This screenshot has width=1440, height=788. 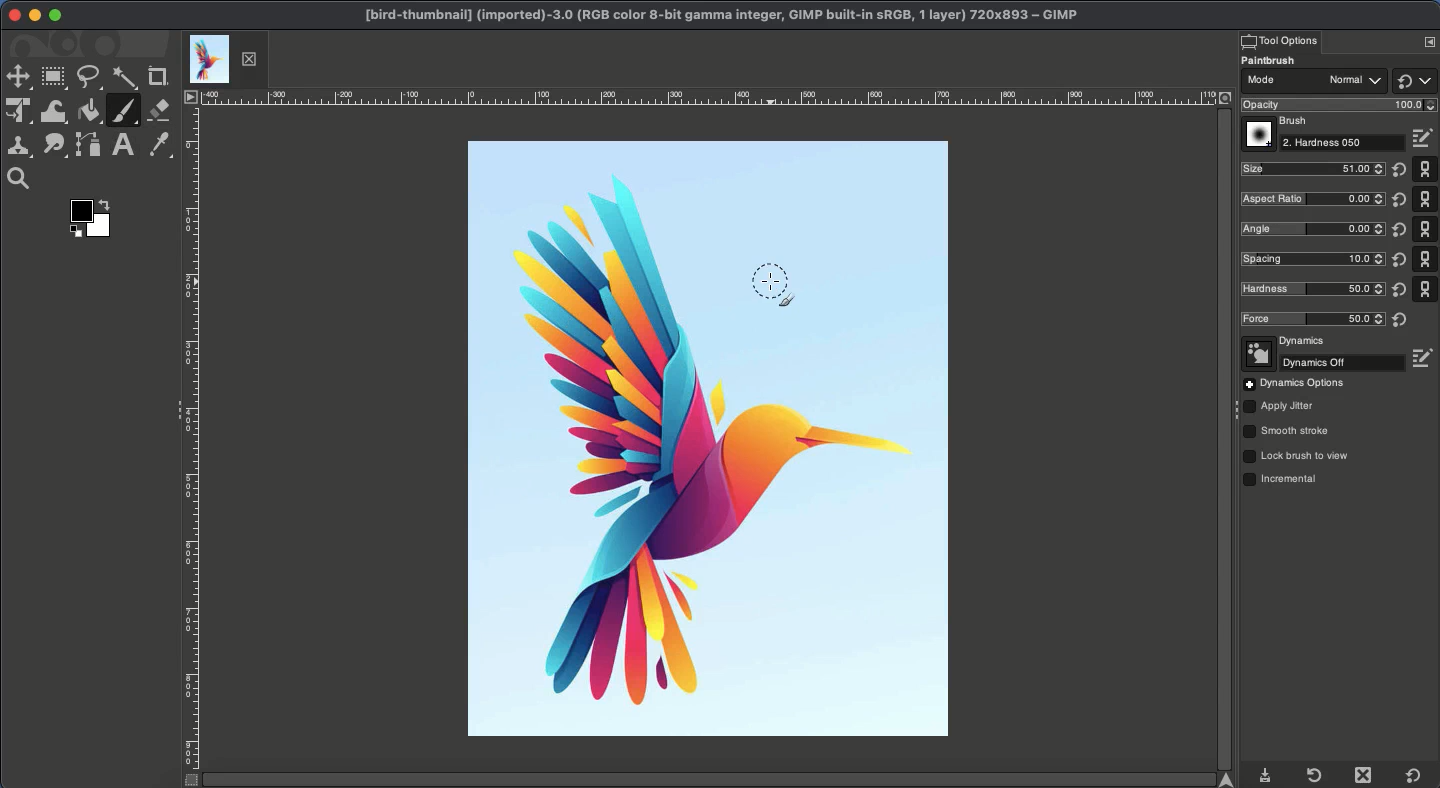 I want to click on Force, so click(x=1312, y=320).